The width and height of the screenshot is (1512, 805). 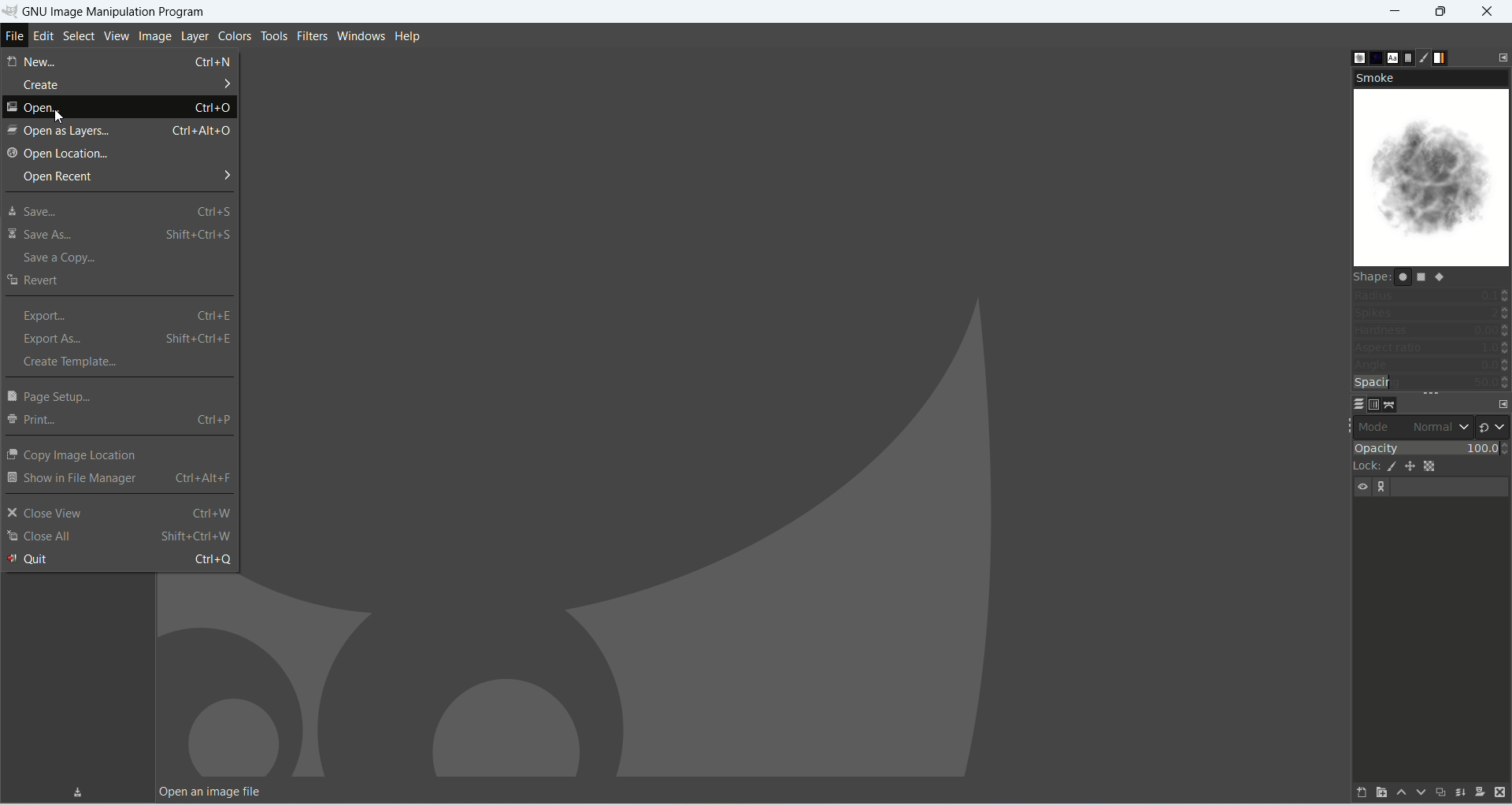 What do you see at coordinates (1358, 405) in the screenshot?
I see `layers` at bounding box center [1358, 405].